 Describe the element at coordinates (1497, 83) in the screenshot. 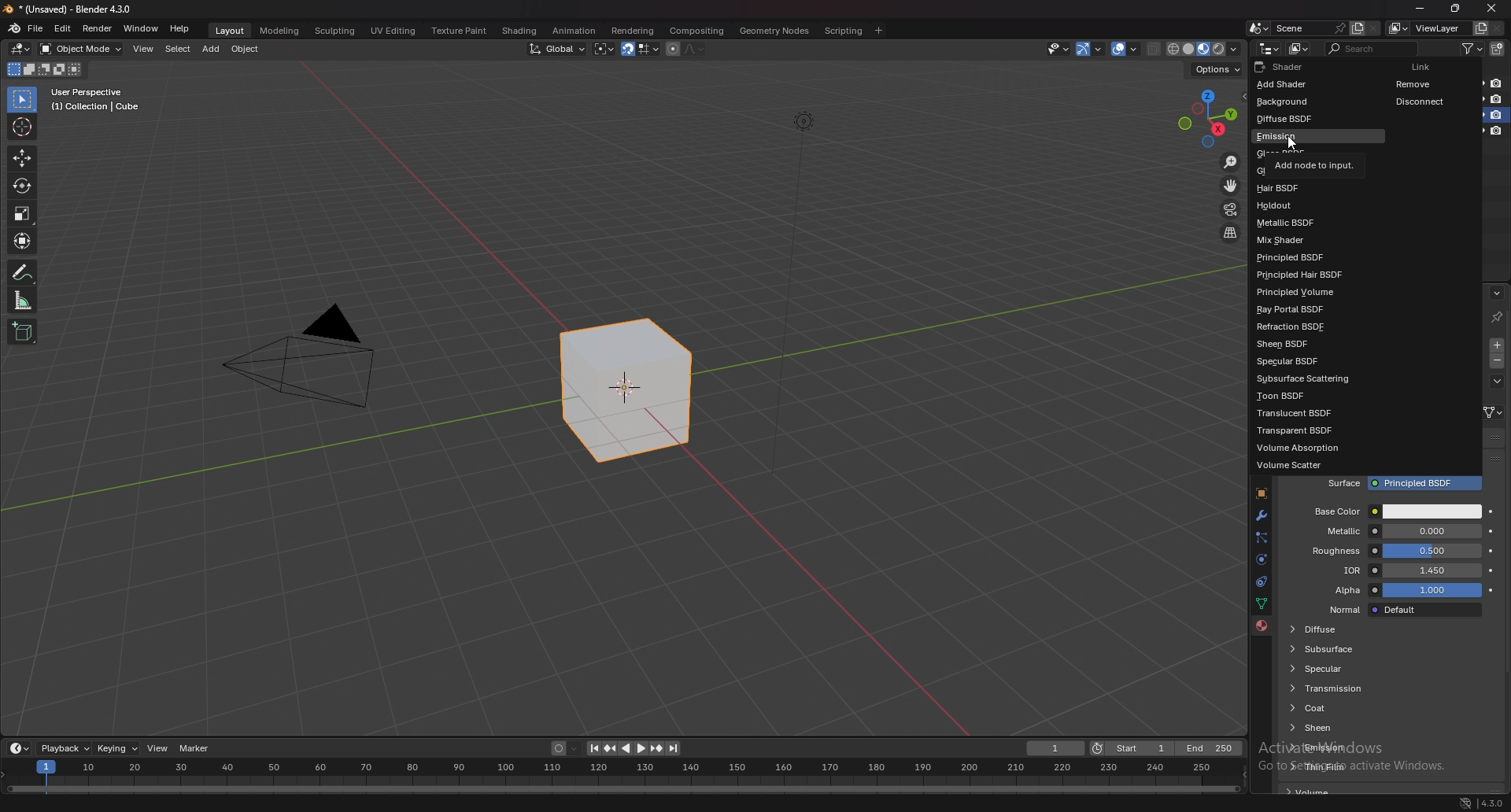

I see `disable in renders` at that location.